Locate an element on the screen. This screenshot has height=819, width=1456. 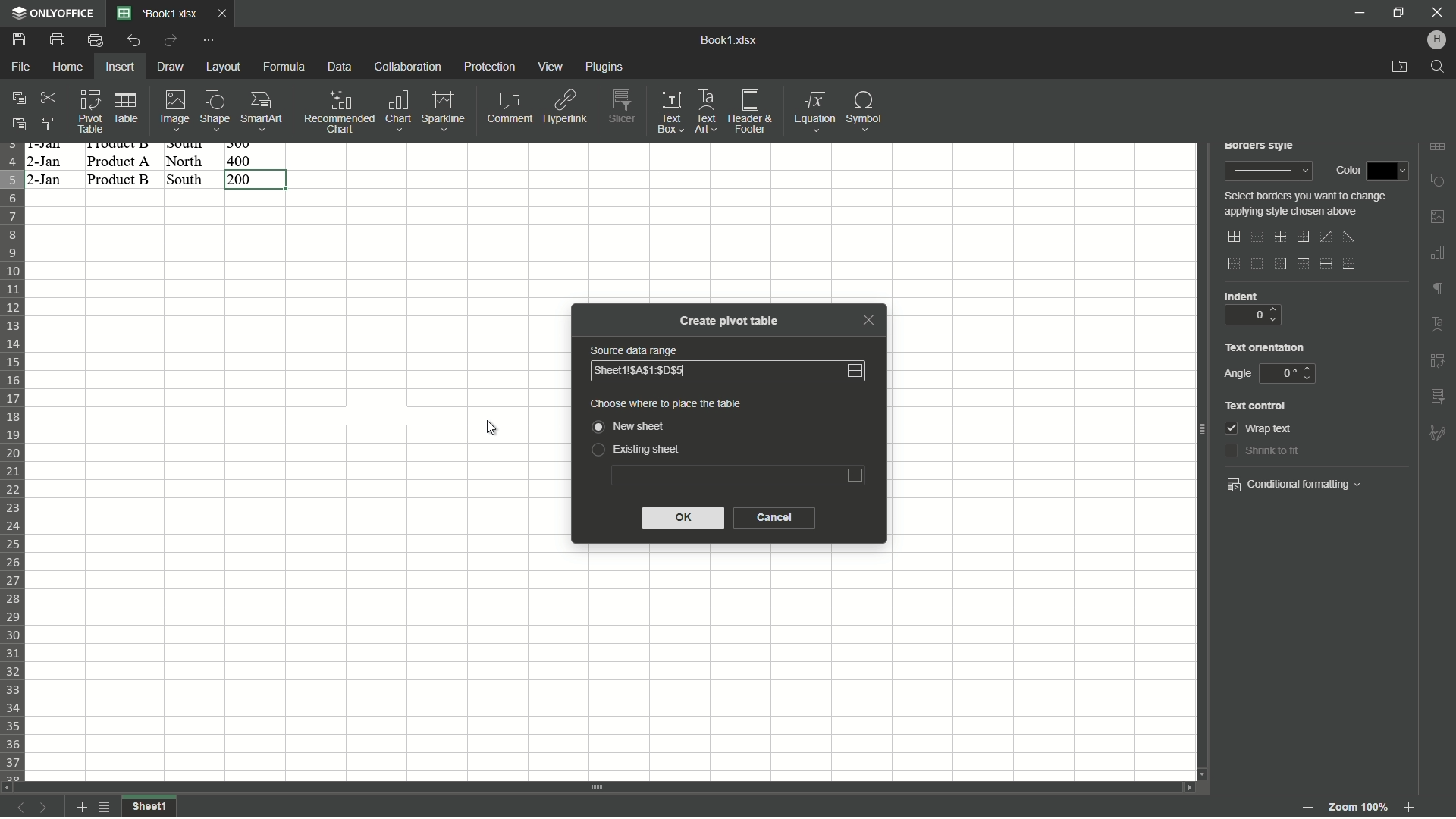
Shape is located at coordinates (215, 110).